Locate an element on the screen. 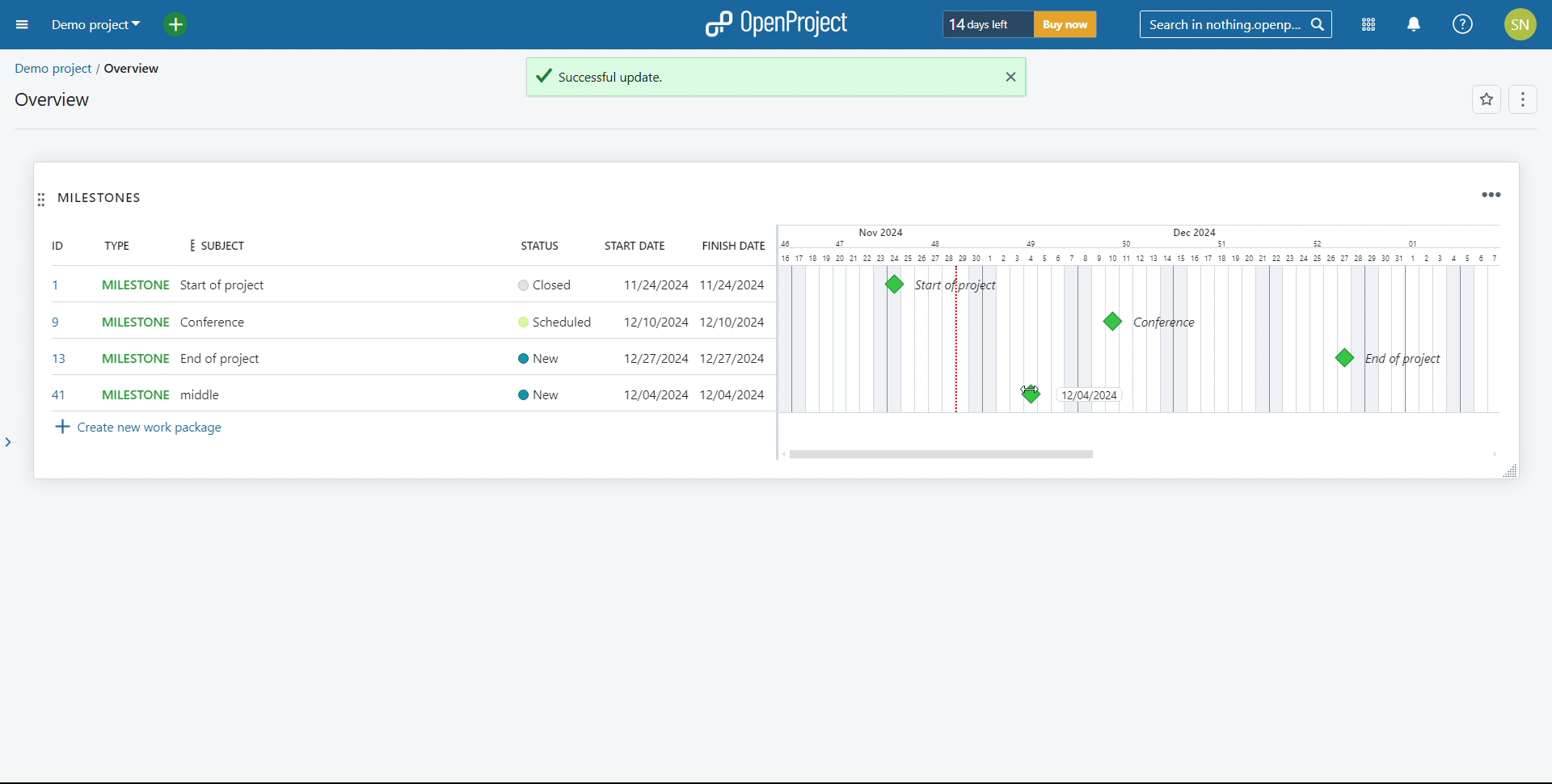 Image resolution: width=1552 pixels, height=784 pixels. options is located at coordinates (1525, 100).